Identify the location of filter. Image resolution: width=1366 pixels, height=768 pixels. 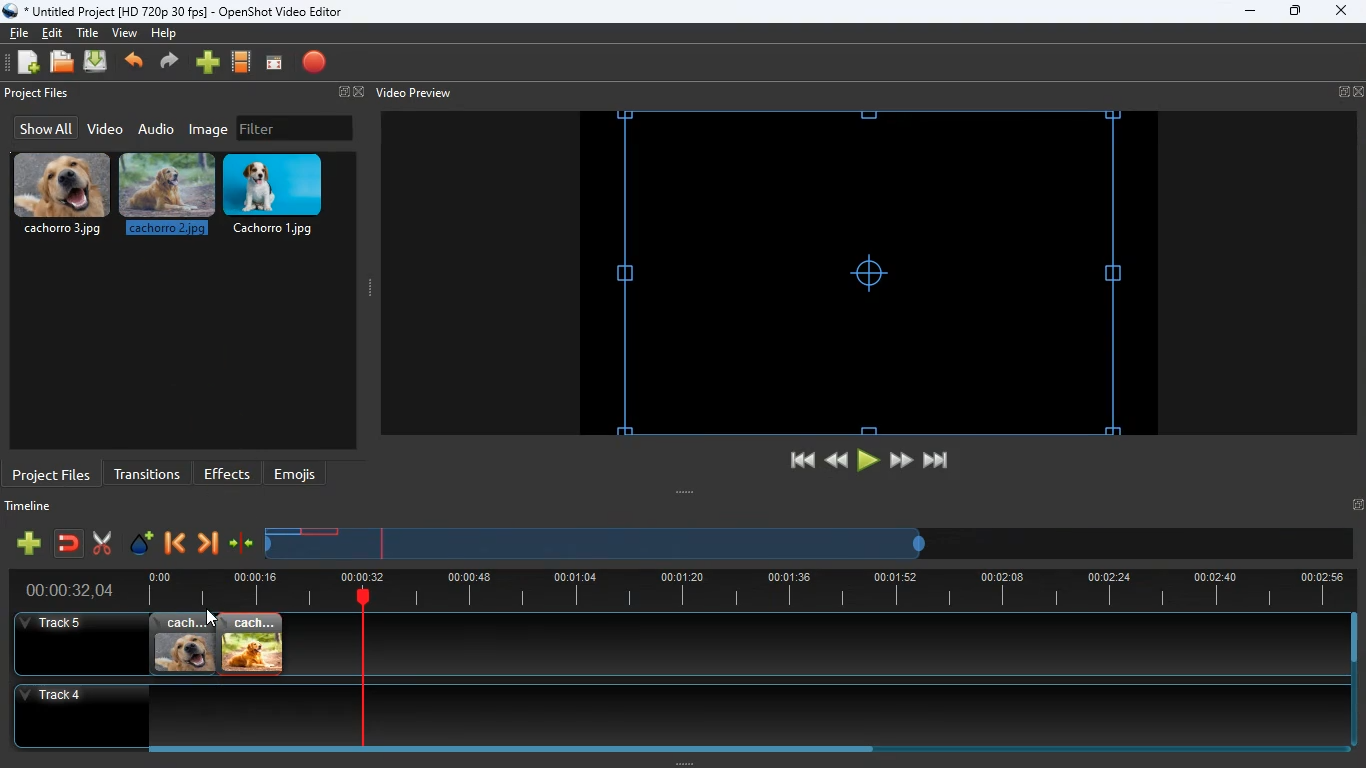
(295, 128).